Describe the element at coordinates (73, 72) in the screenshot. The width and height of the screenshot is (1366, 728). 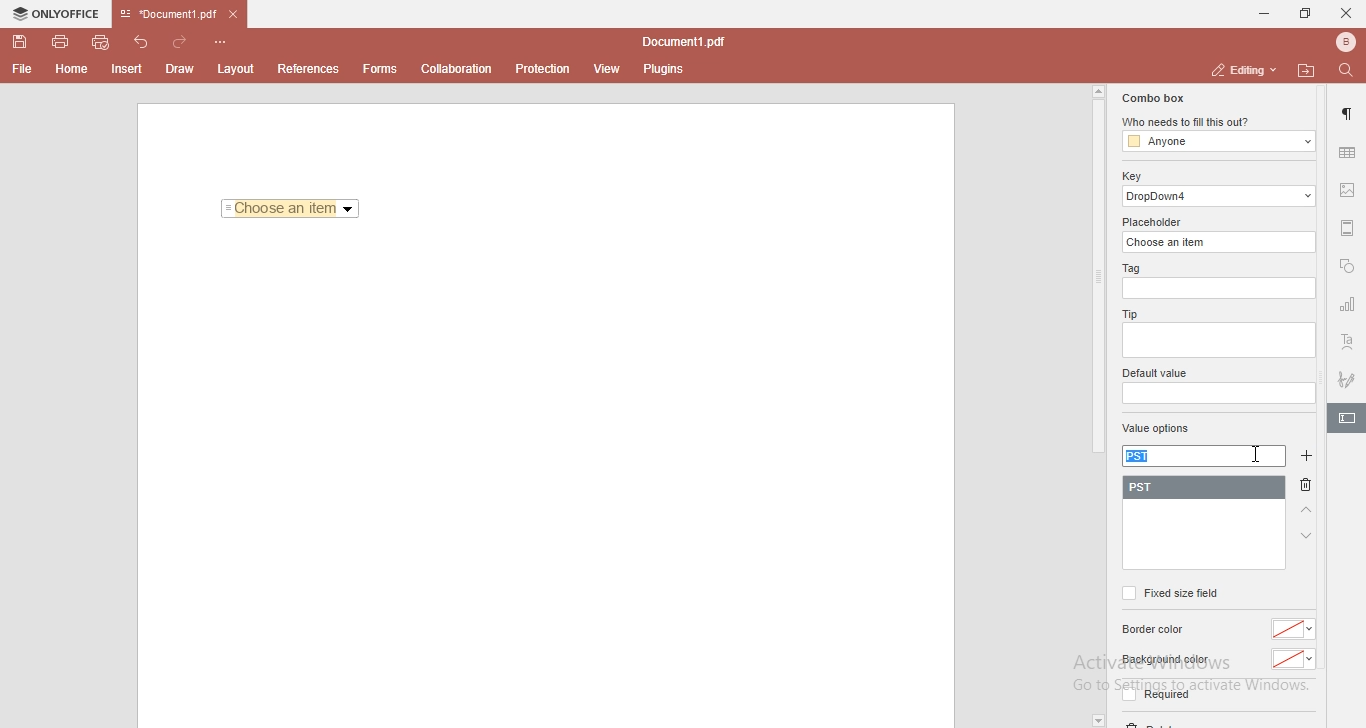
I see `Home` at that location.